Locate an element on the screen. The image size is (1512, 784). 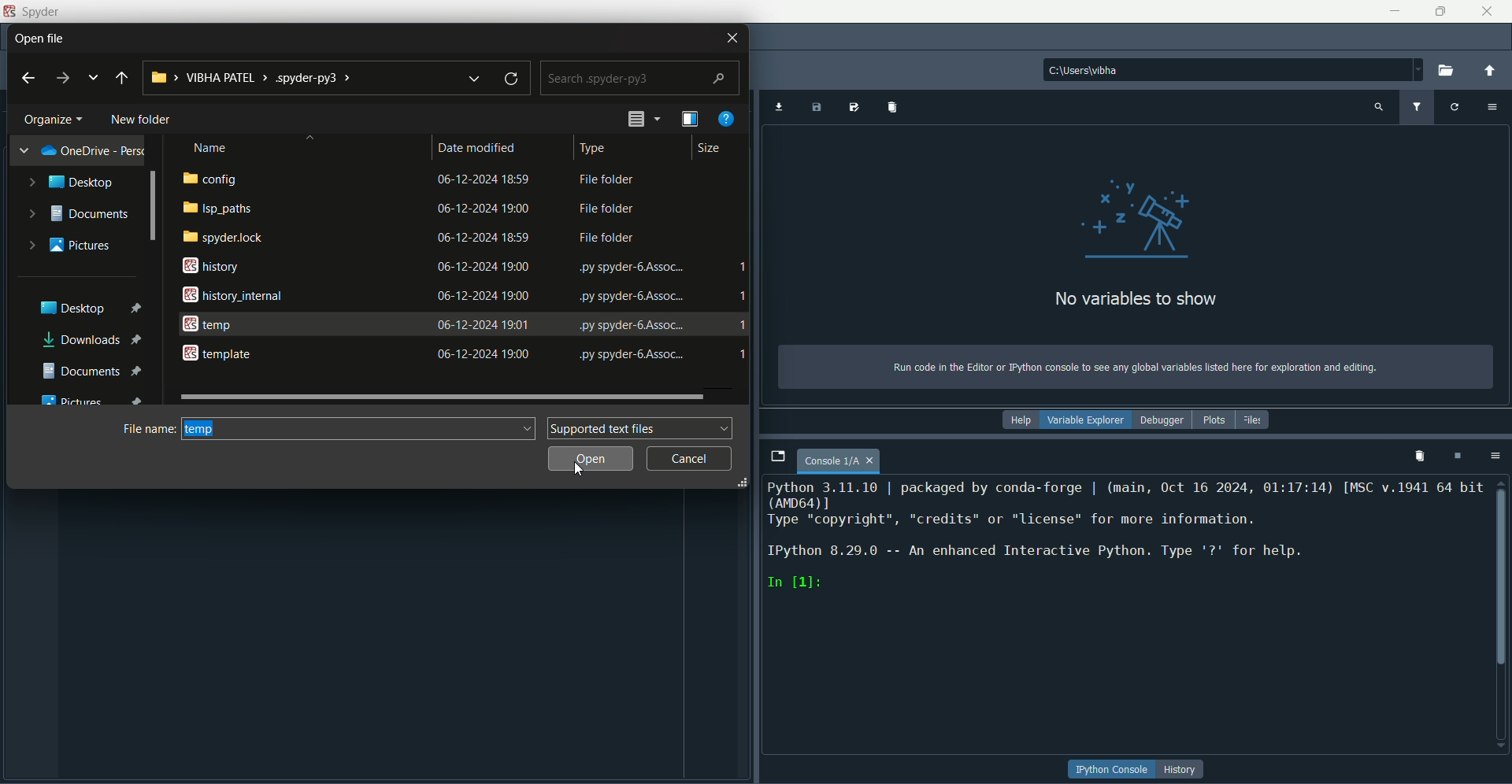
next is located at coordinates (62, 79).